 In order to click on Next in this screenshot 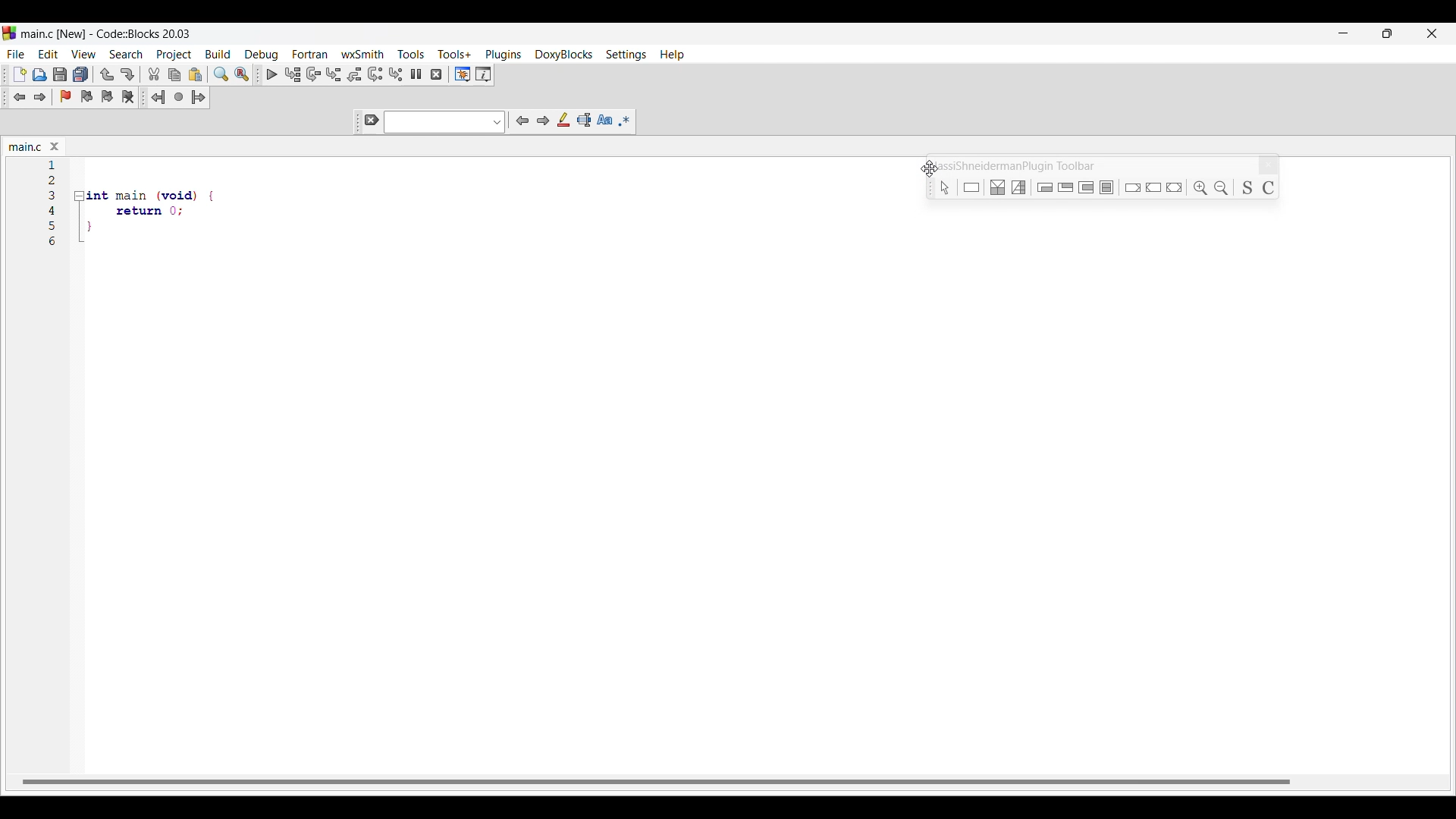, I will do `click(543, 121)`.